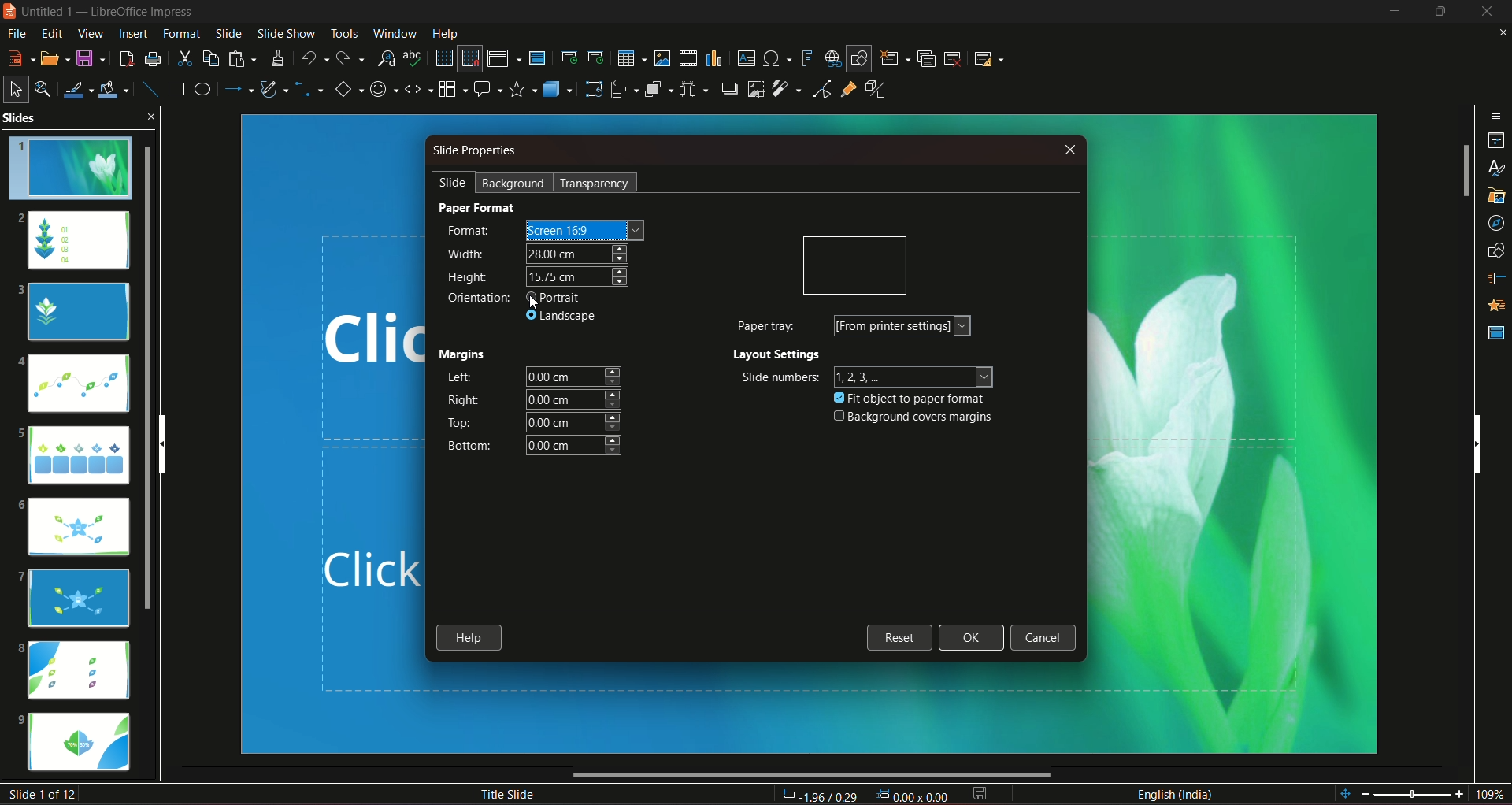 This screenshot has width=1512, height=805. What do you see at coordinates (523, 88) in the screenshot?
I see `stars and banners` at bounding box center [523, 88].